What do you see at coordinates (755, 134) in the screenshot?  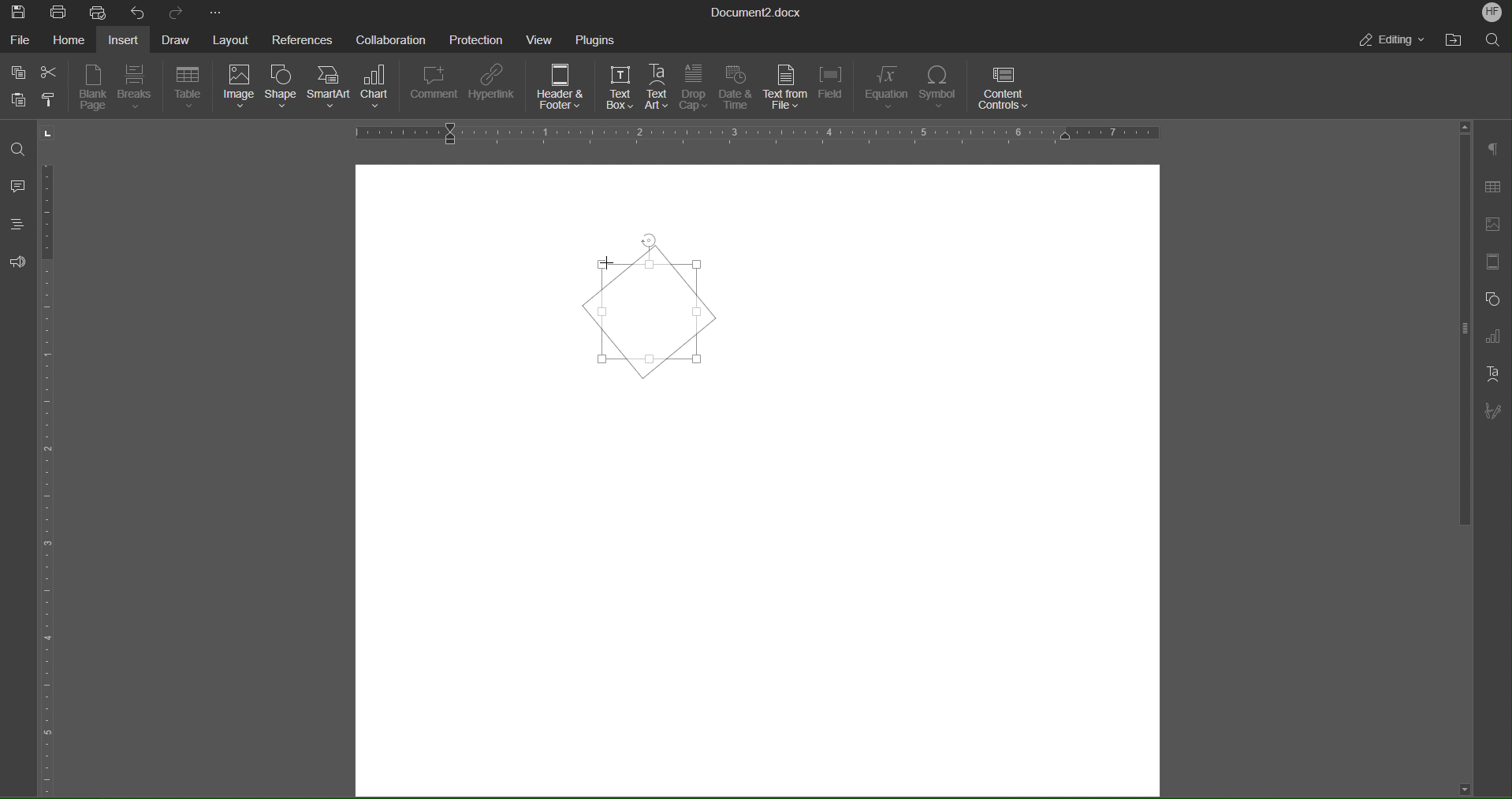 I see `Horizontal Ruler` at bounding box center [755, 134].